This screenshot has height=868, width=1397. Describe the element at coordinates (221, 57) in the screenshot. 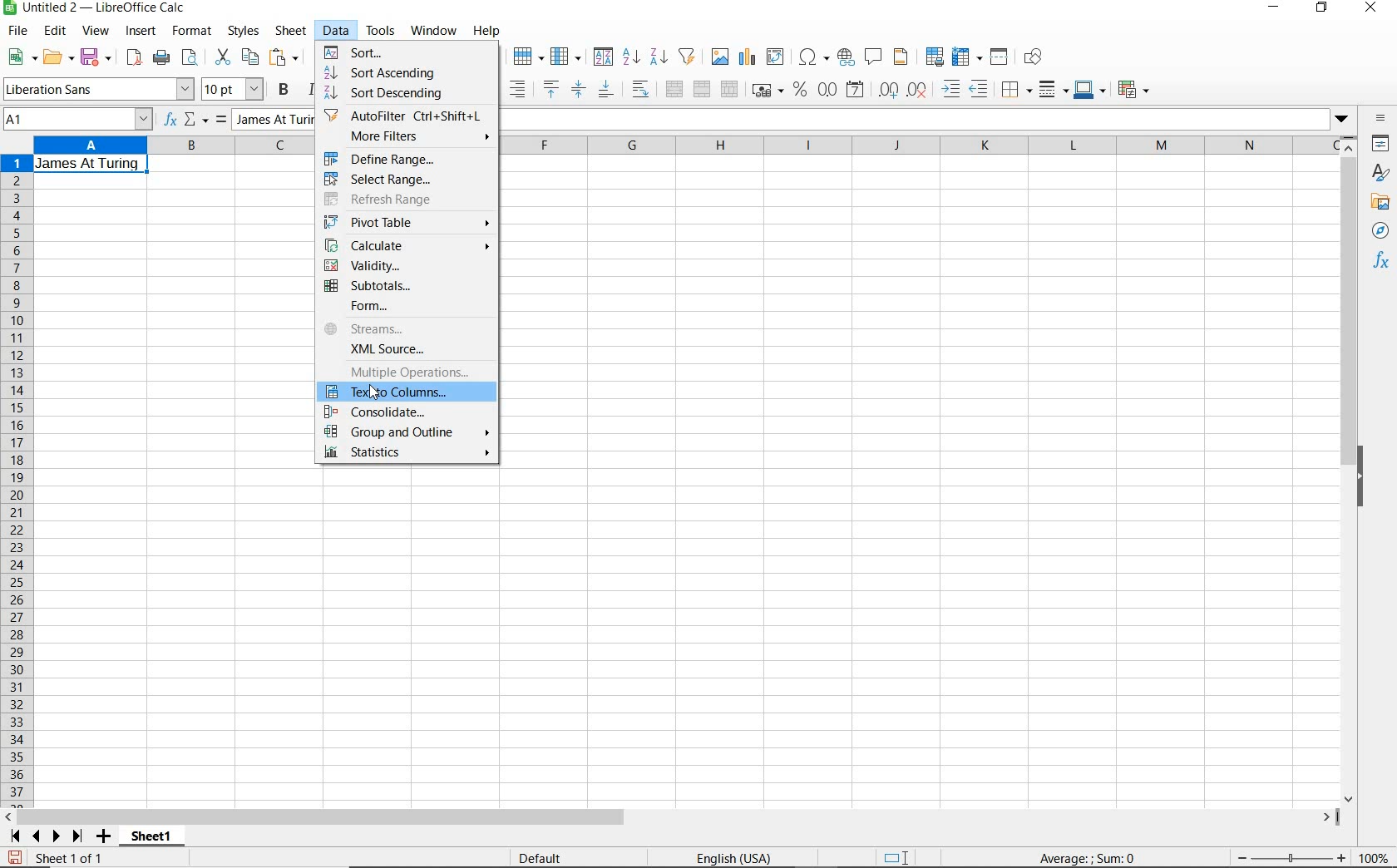

I see `cut` at that location.